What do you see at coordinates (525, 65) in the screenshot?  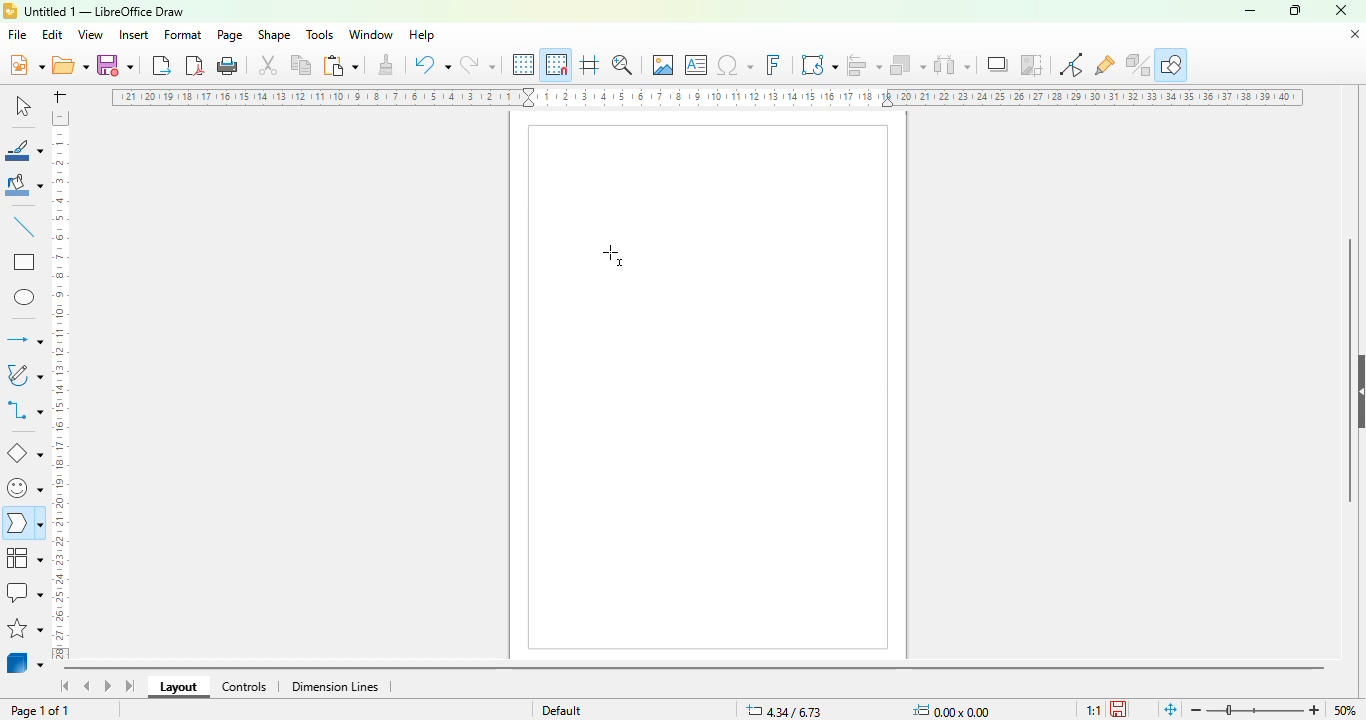 I see `display grid` at bounding box center [525, 65].